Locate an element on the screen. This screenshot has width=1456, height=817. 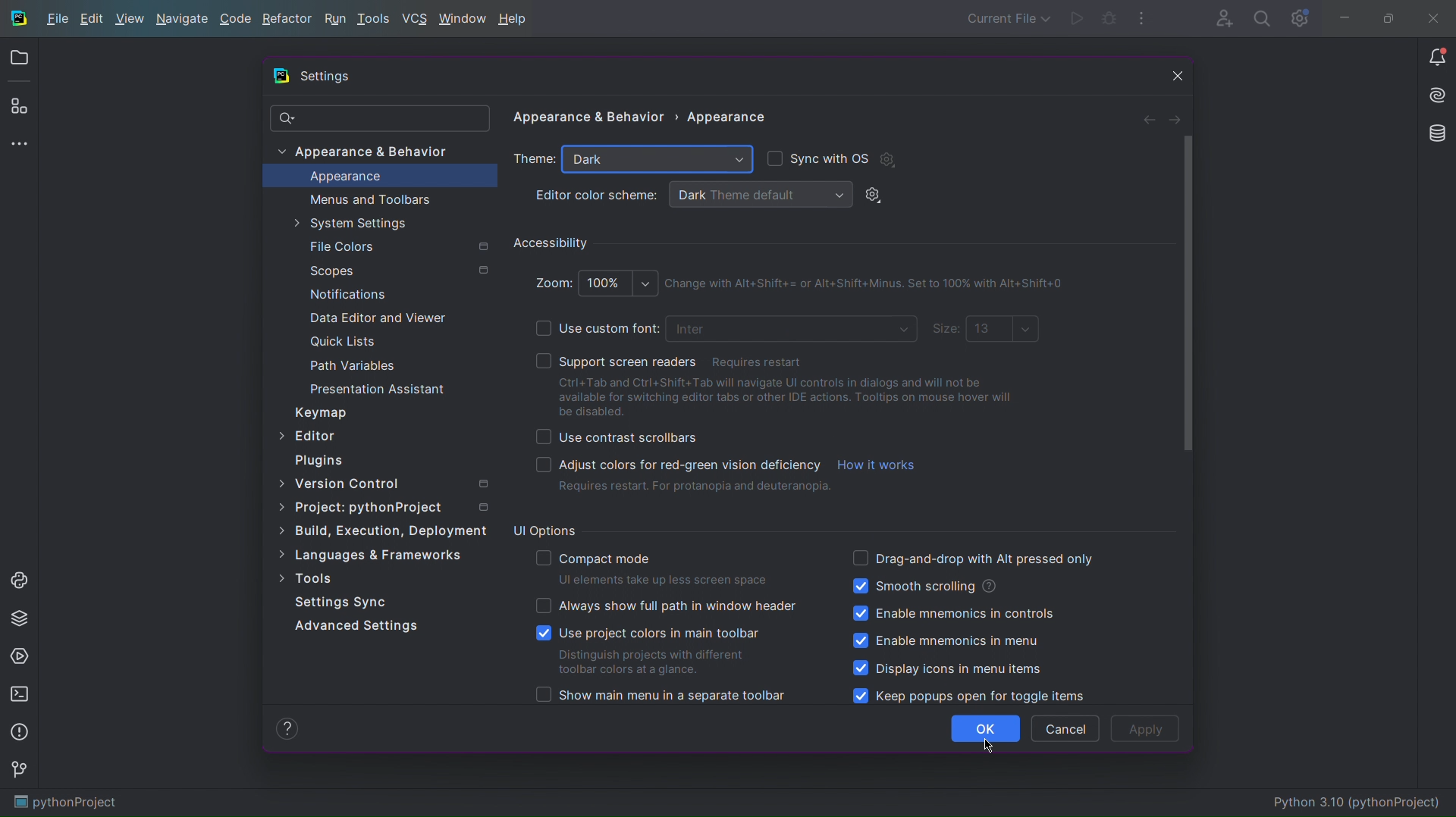
Accessibility is located at coordinates (552, 242).